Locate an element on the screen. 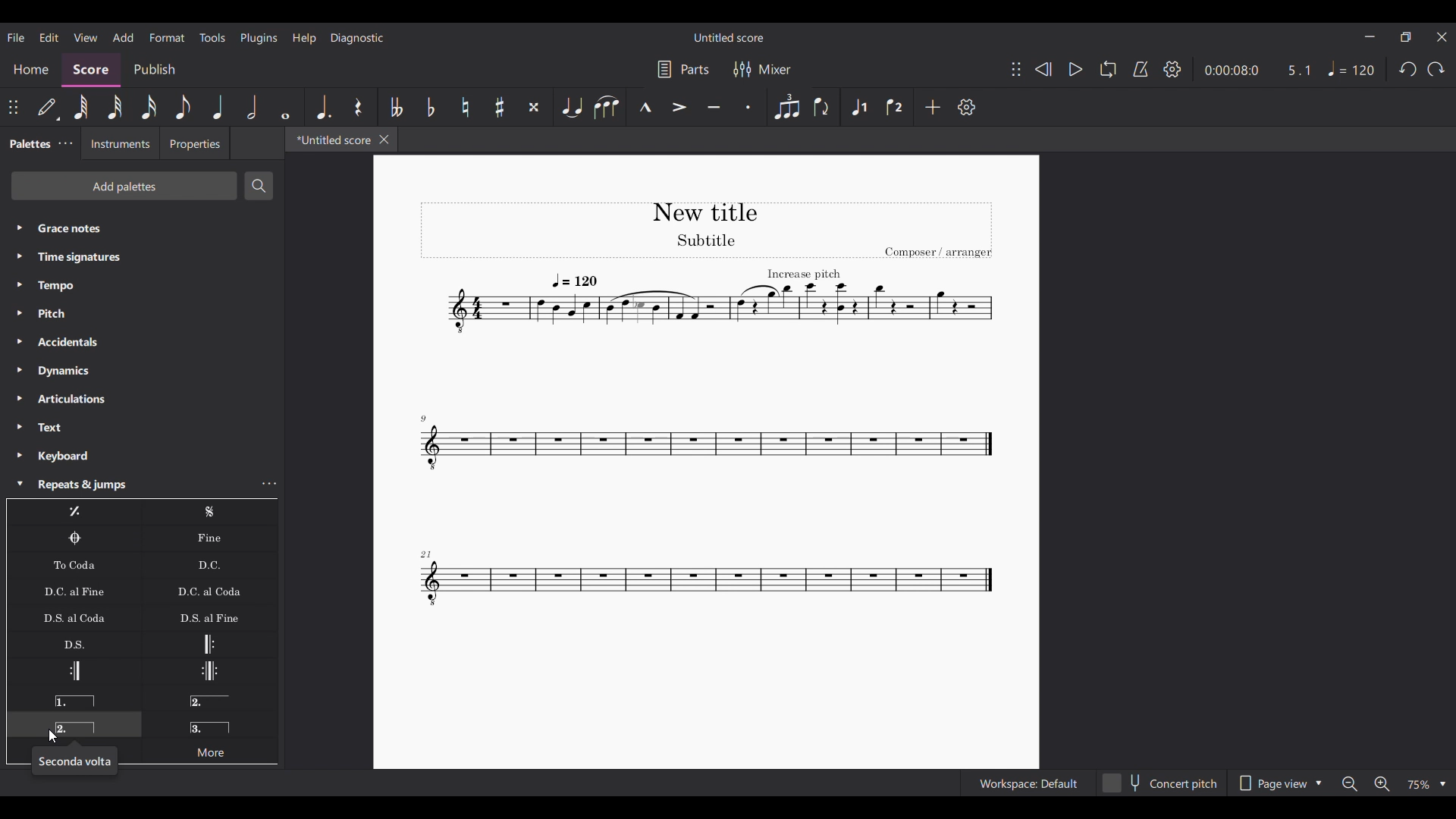 The width and height of the screenshot is (1456, 819). Properties is located at coordinates (194, 143).